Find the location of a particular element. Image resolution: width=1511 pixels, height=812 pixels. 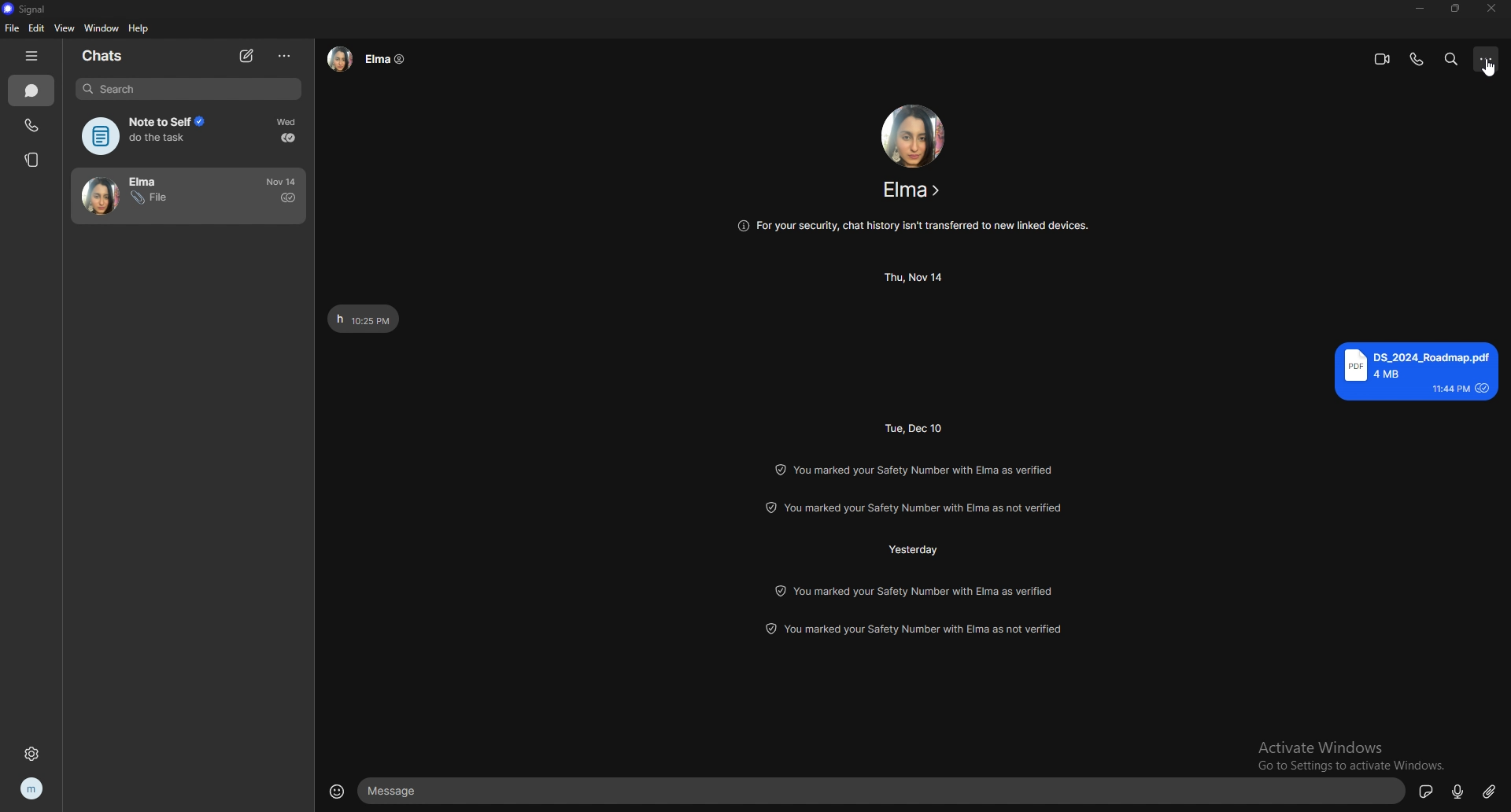

info is located at coordinates (916, 509).